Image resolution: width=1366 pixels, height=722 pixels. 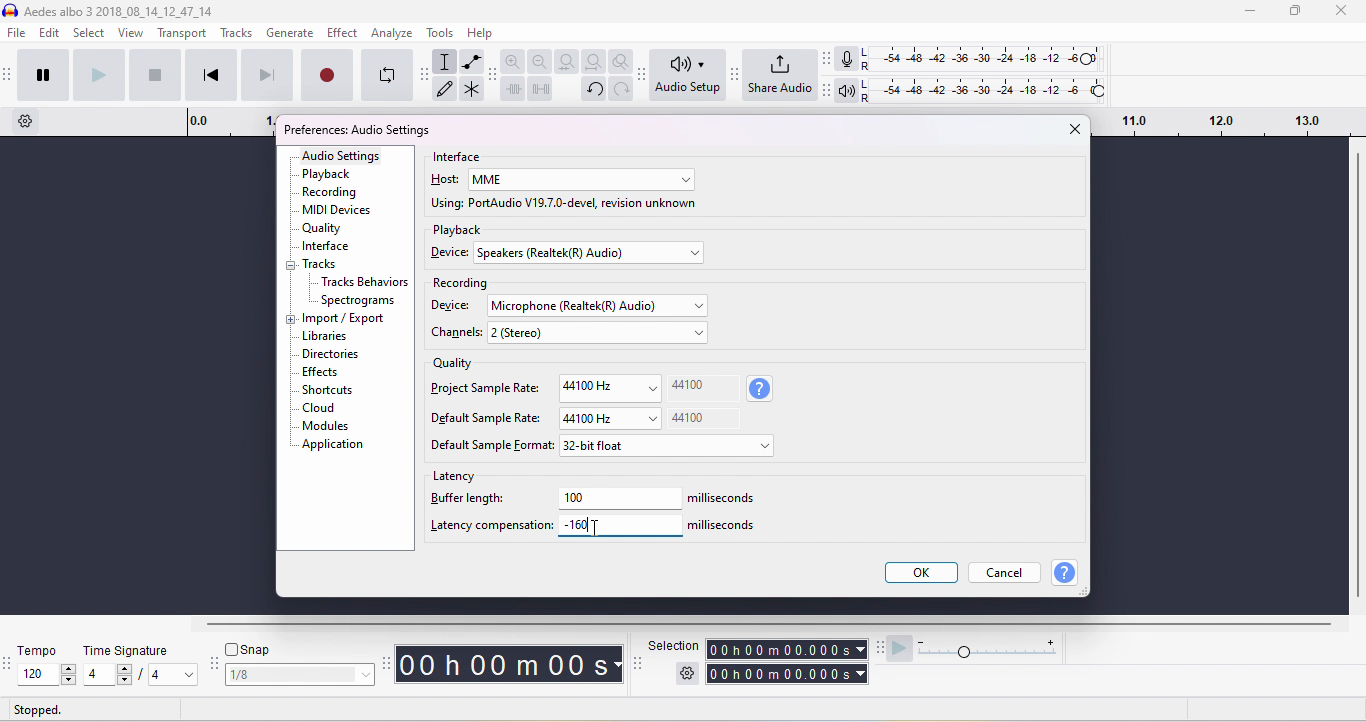 I want to click on interface, so click(x=325, y=247).